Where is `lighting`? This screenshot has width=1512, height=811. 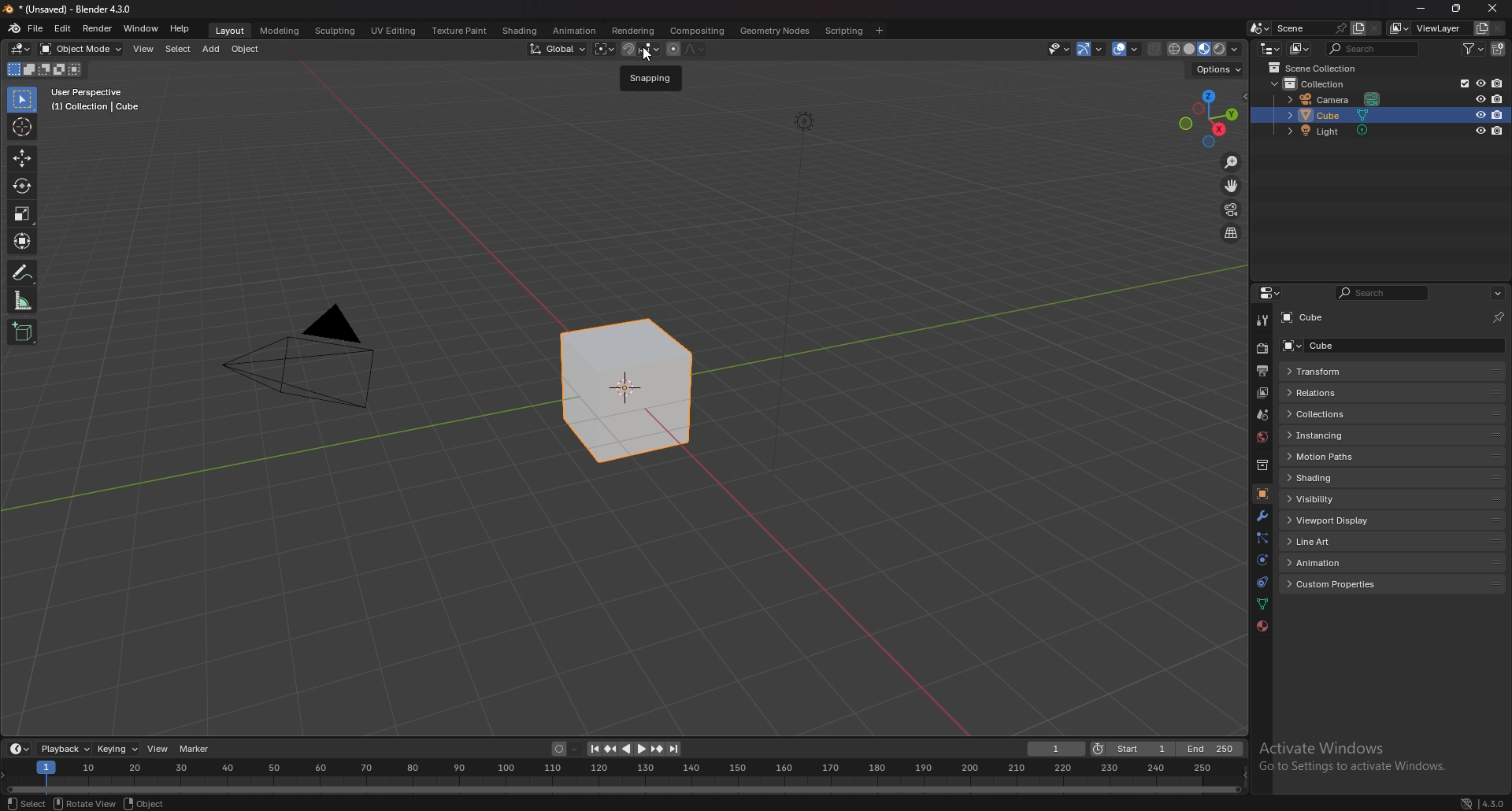
lighting is located at coordinates (801, 120).